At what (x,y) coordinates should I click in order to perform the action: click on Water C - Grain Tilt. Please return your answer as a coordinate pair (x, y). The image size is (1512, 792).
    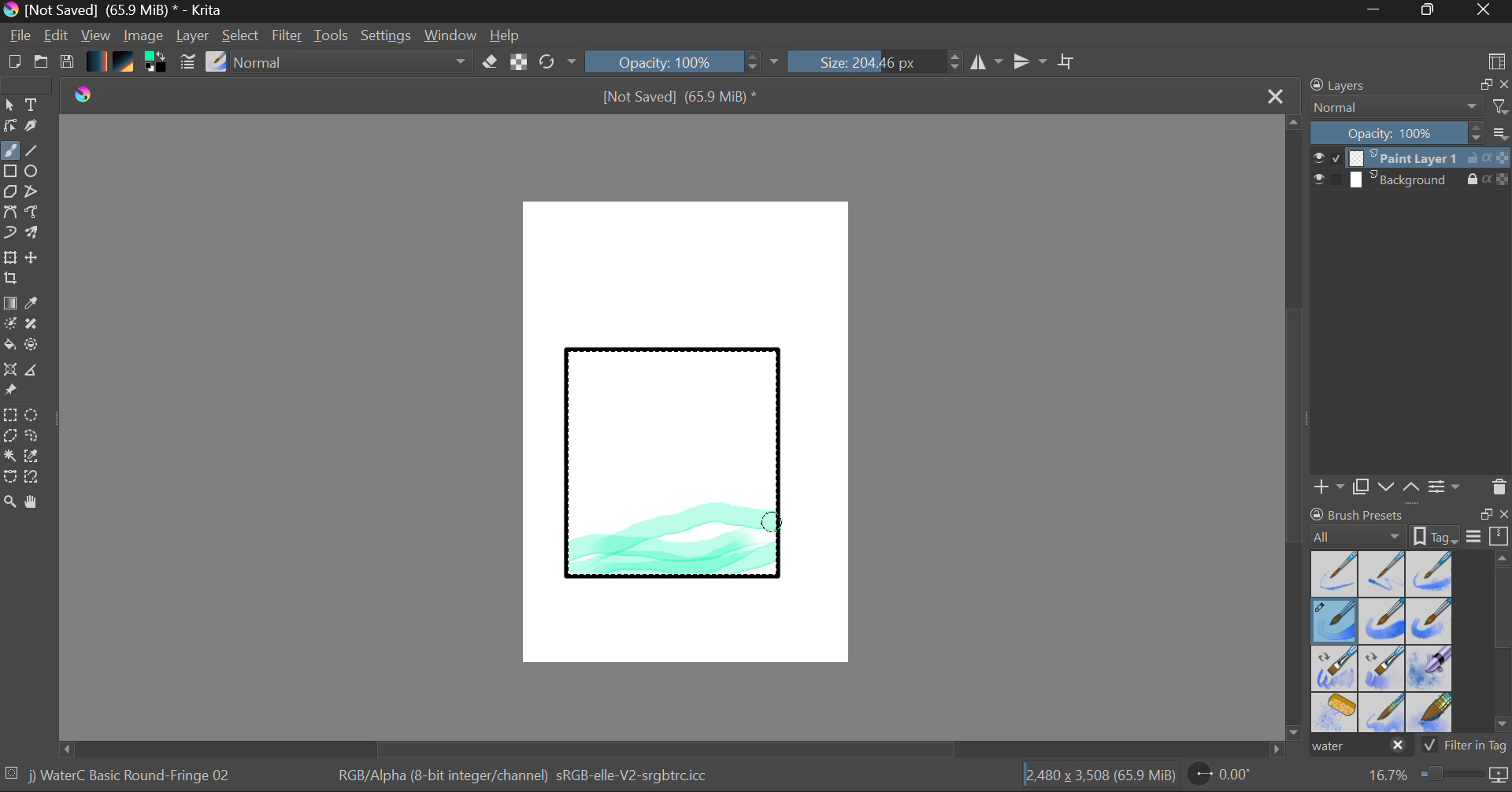
    Looking at the image, I should click on (1336, 668).